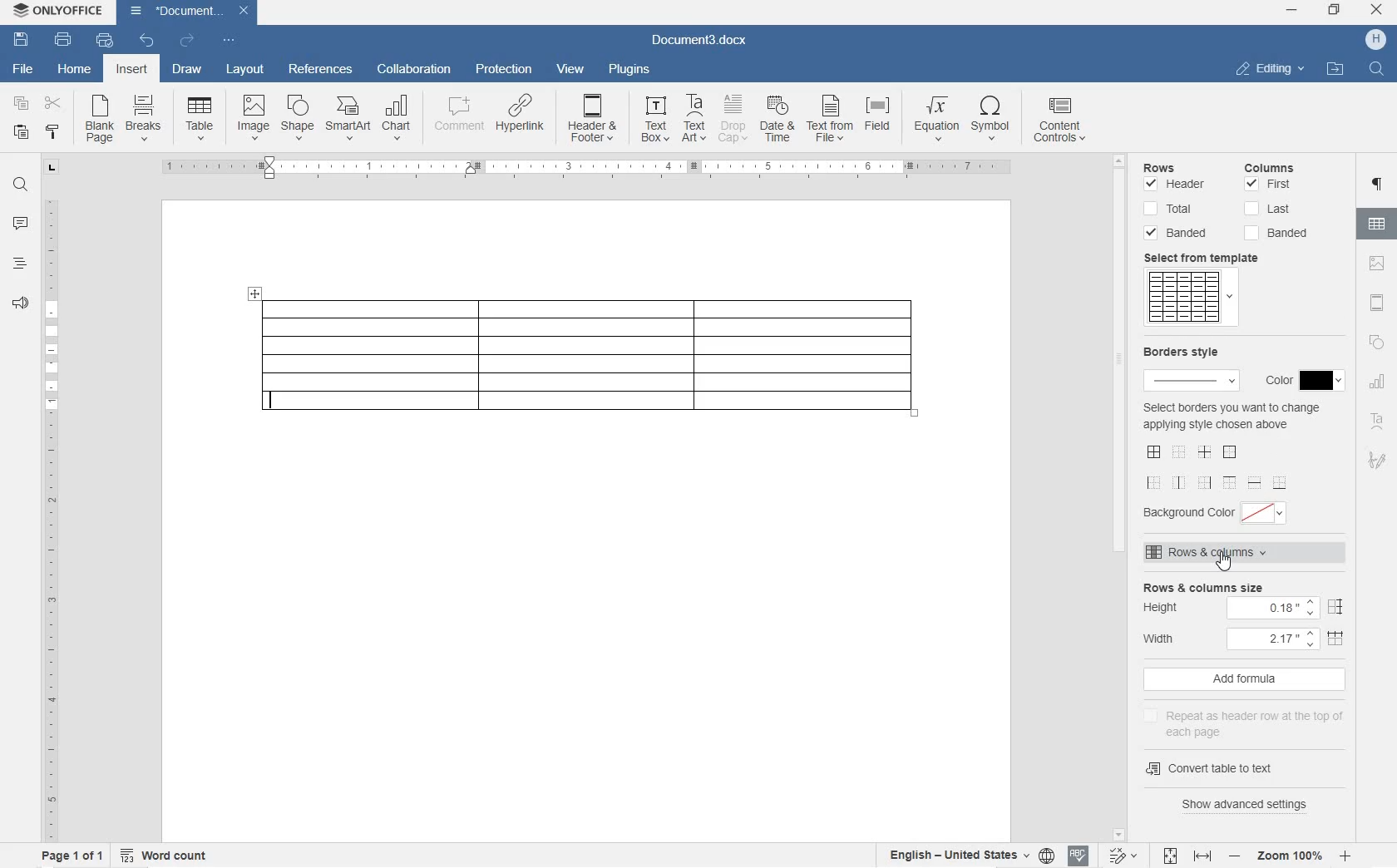 The width and height of the screenshot is (1397, 868). I want to click on PASTE, so click(23, 133).